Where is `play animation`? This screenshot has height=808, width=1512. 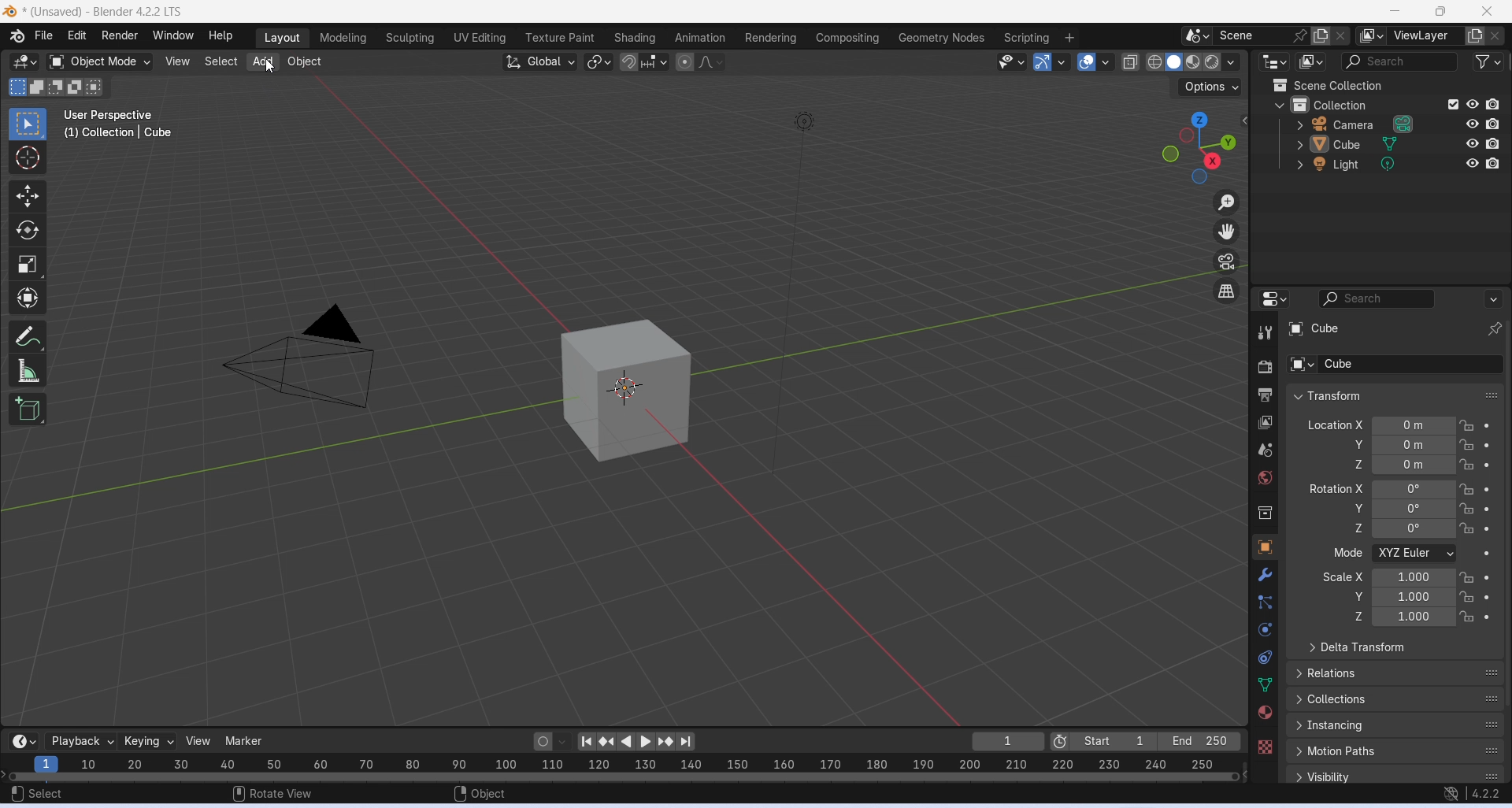 play animation is located at coordinates (648, 742).